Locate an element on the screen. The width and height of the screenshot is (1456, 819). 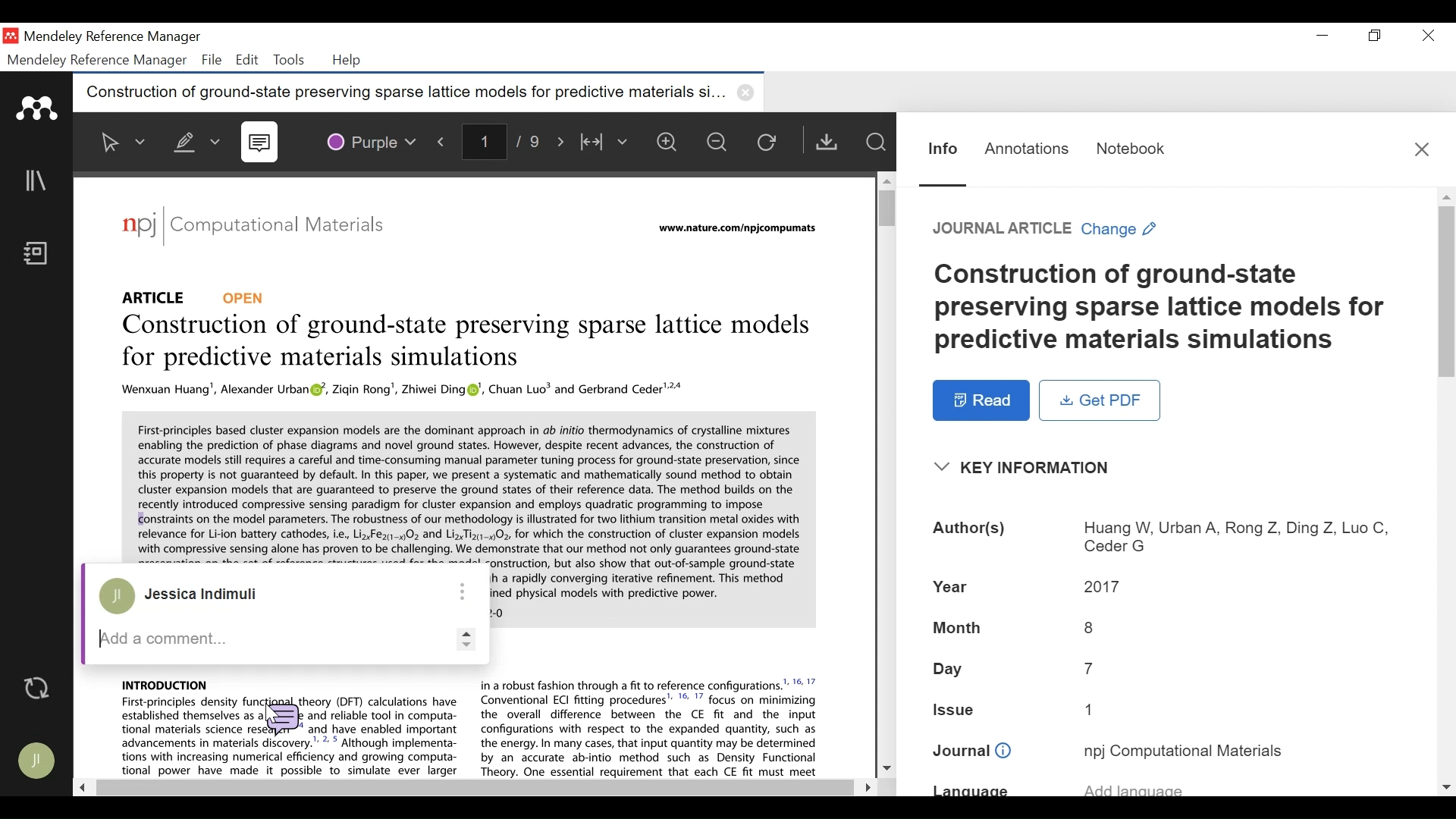
Zoom in is located at coordinates (670, 143).